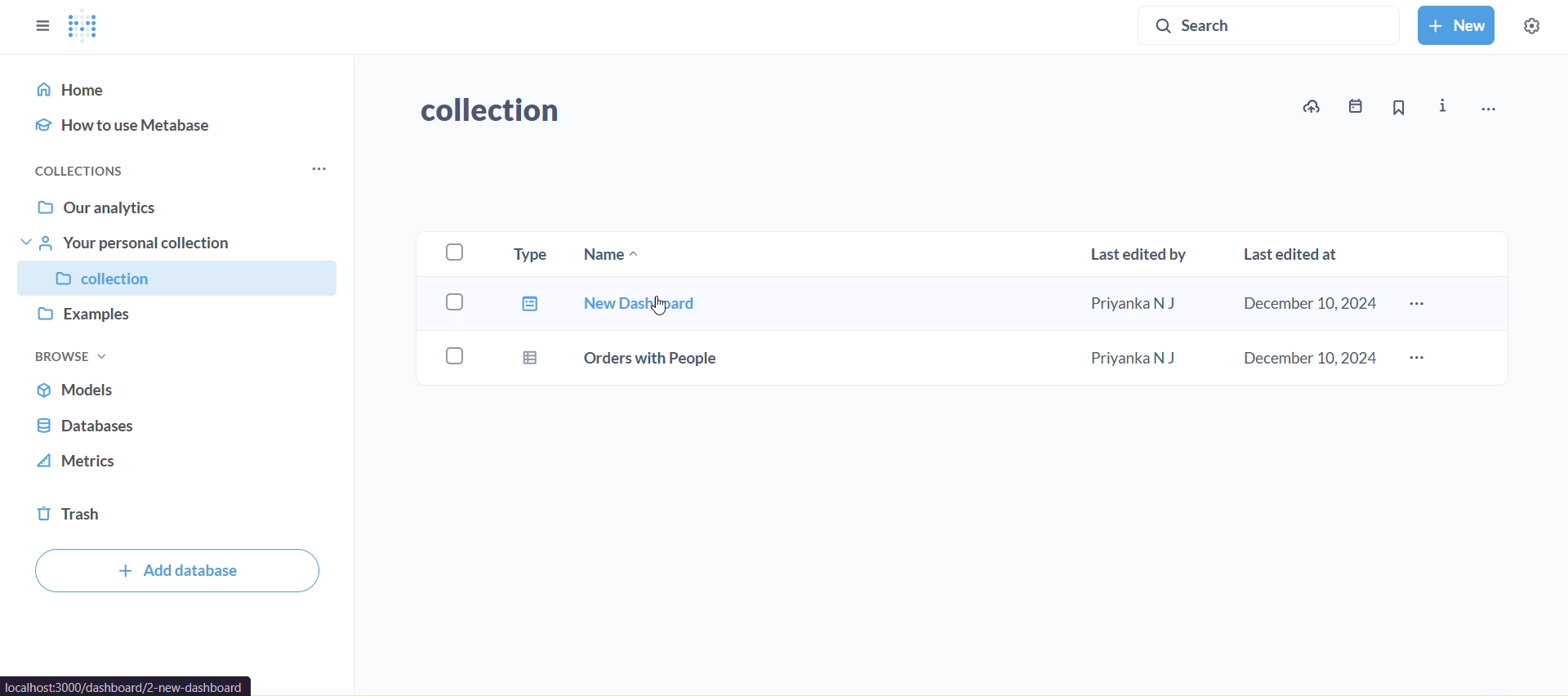 The image size is (1568, 696). I want to click on checkboxes, so click(449, 309).